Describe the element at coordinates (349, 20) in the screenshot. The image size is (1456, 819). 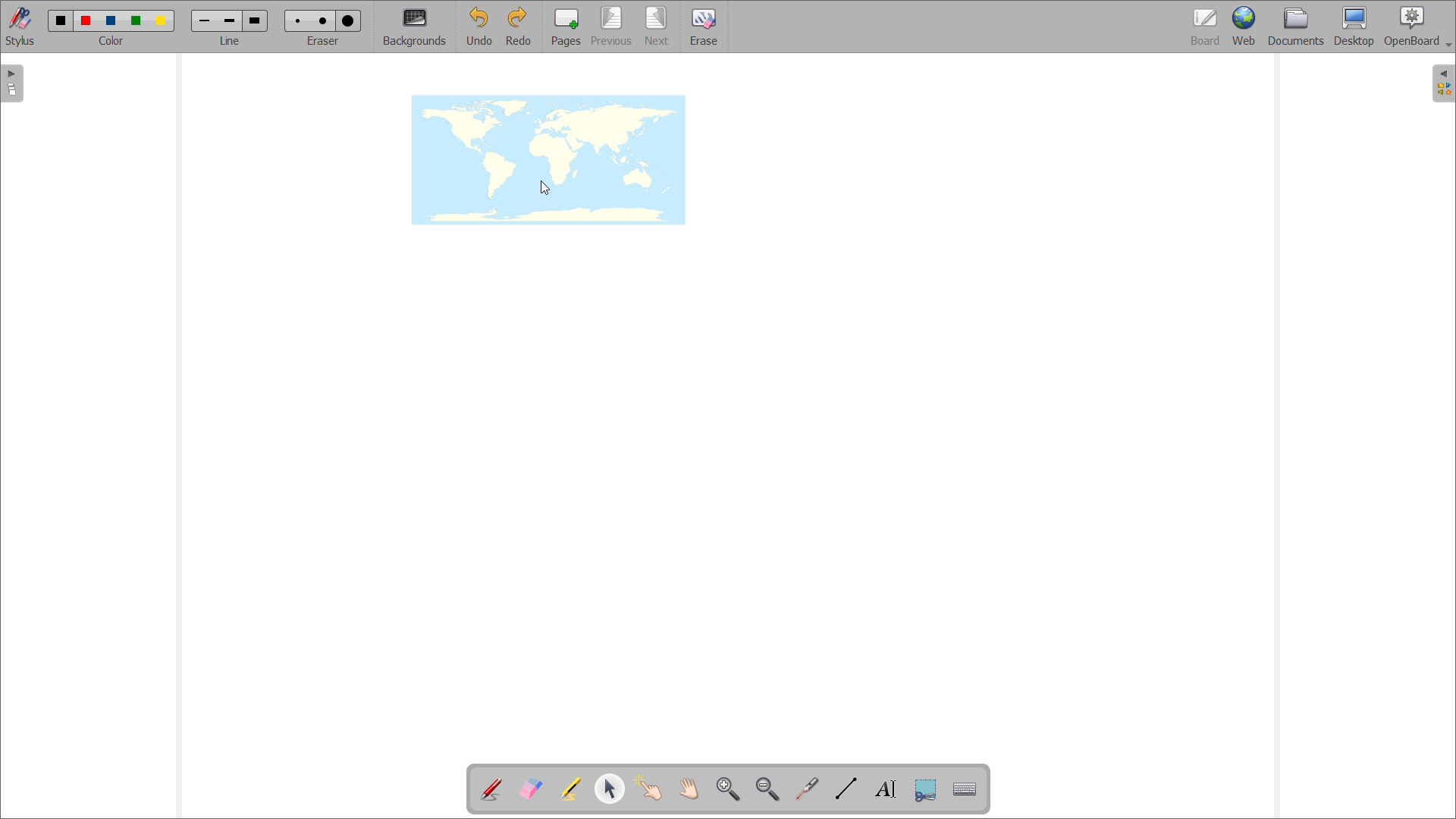
I see `large` at that location.